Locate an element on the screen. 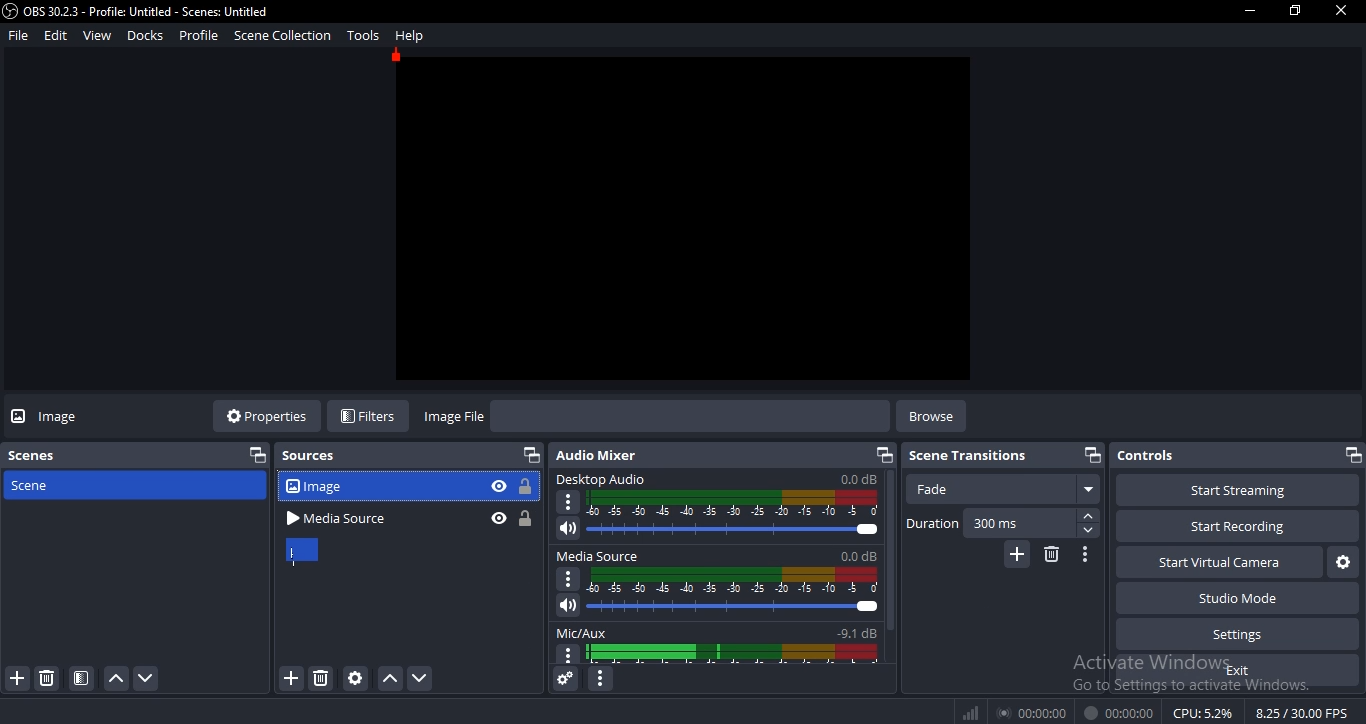 This screenshot has width=1366, height=724. duration is located at coordinates (933, 522).